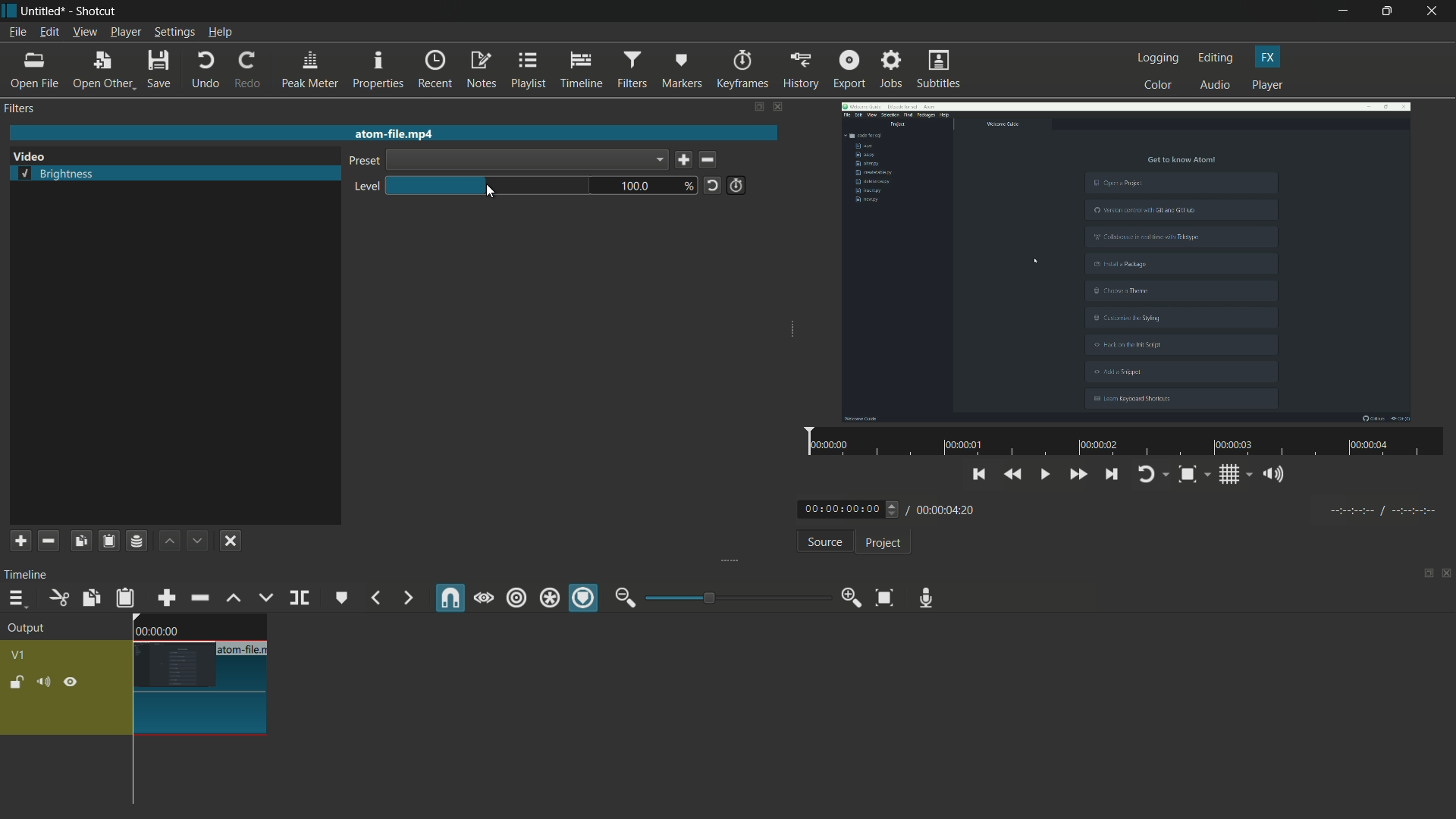  What do you see at coordinates (1389, 11) in the screenshot?
I see `maximize` at bounding box center [1389, 11].